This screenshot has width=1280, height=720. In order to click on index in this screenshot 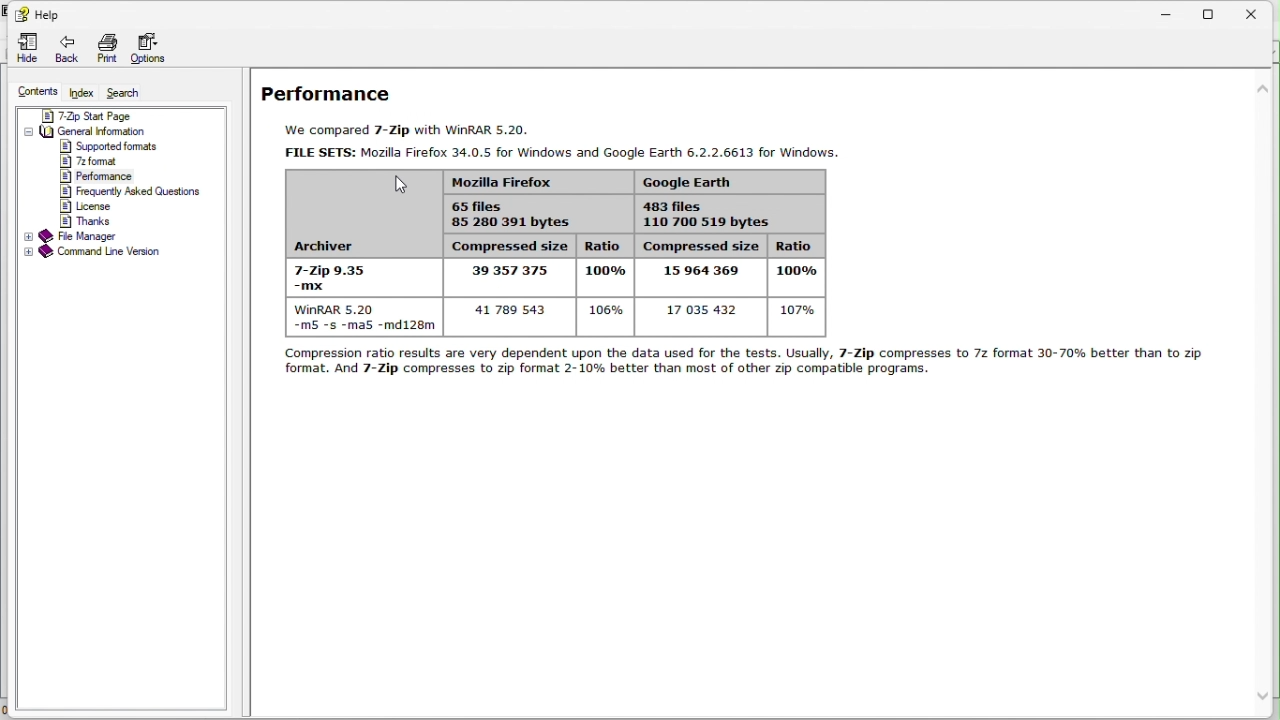, I will do `click(83, 93)`.